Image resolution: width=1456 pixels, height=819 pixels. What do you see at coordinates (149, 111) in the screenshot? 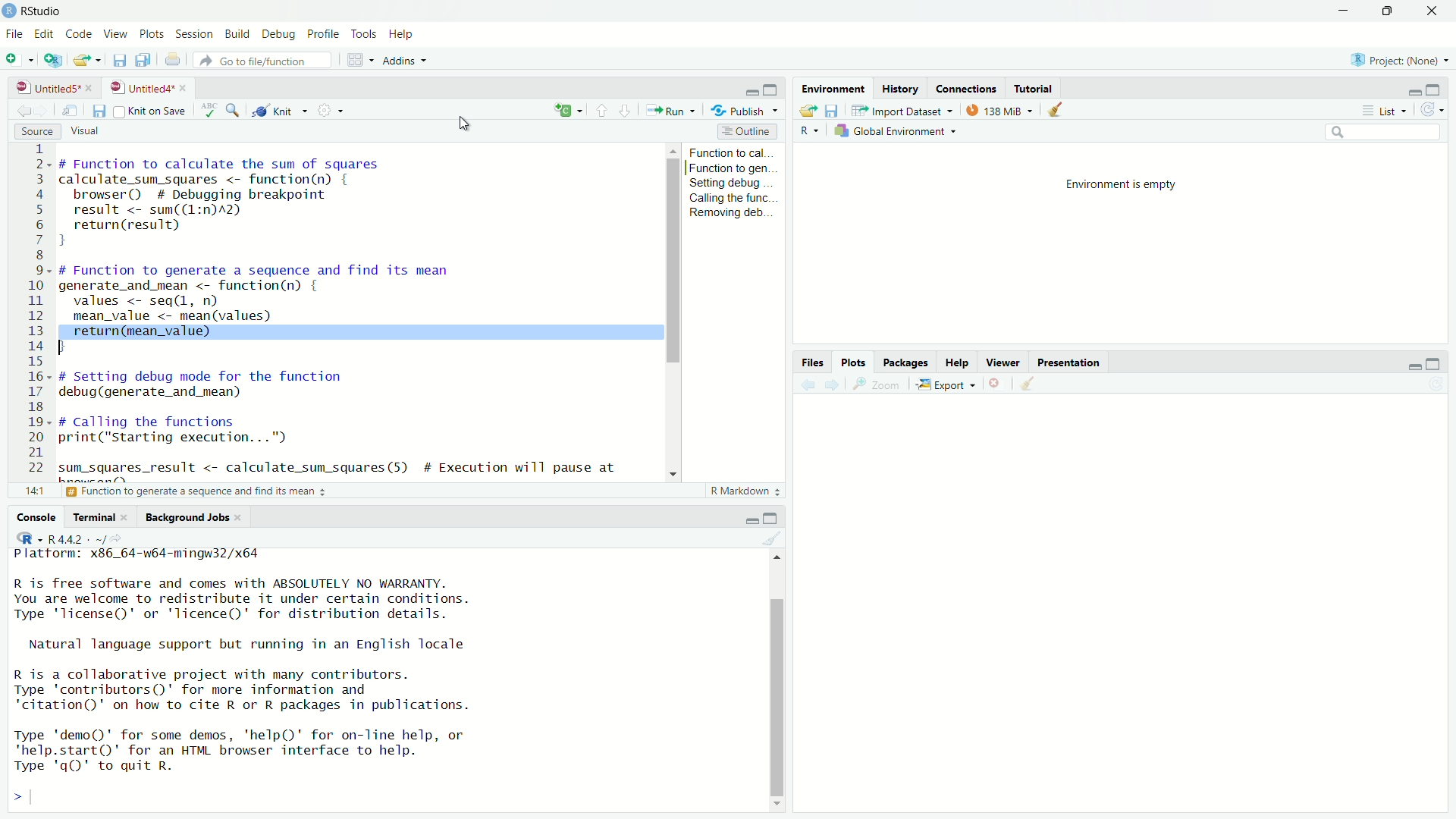
I see `source on save` at bounding box center [149, 111].